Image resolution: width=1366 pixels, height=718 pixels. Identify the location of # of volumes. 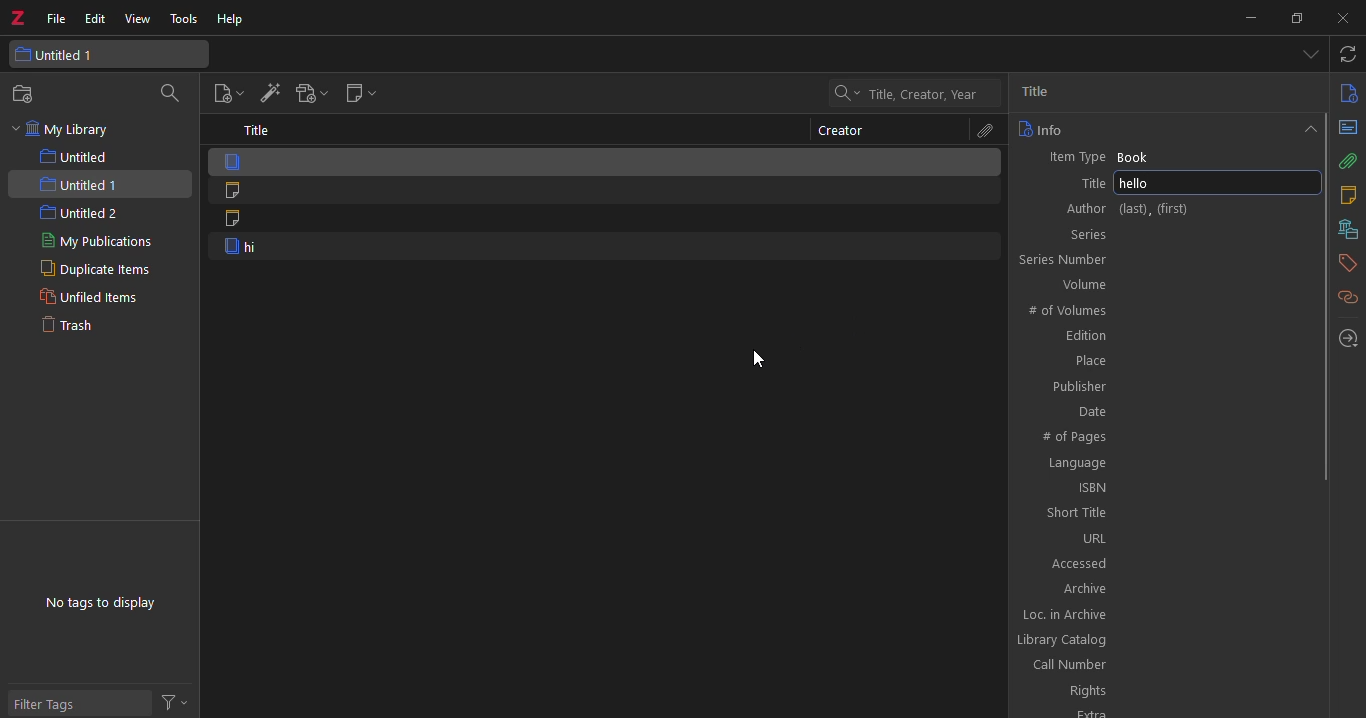
(1167, 309).